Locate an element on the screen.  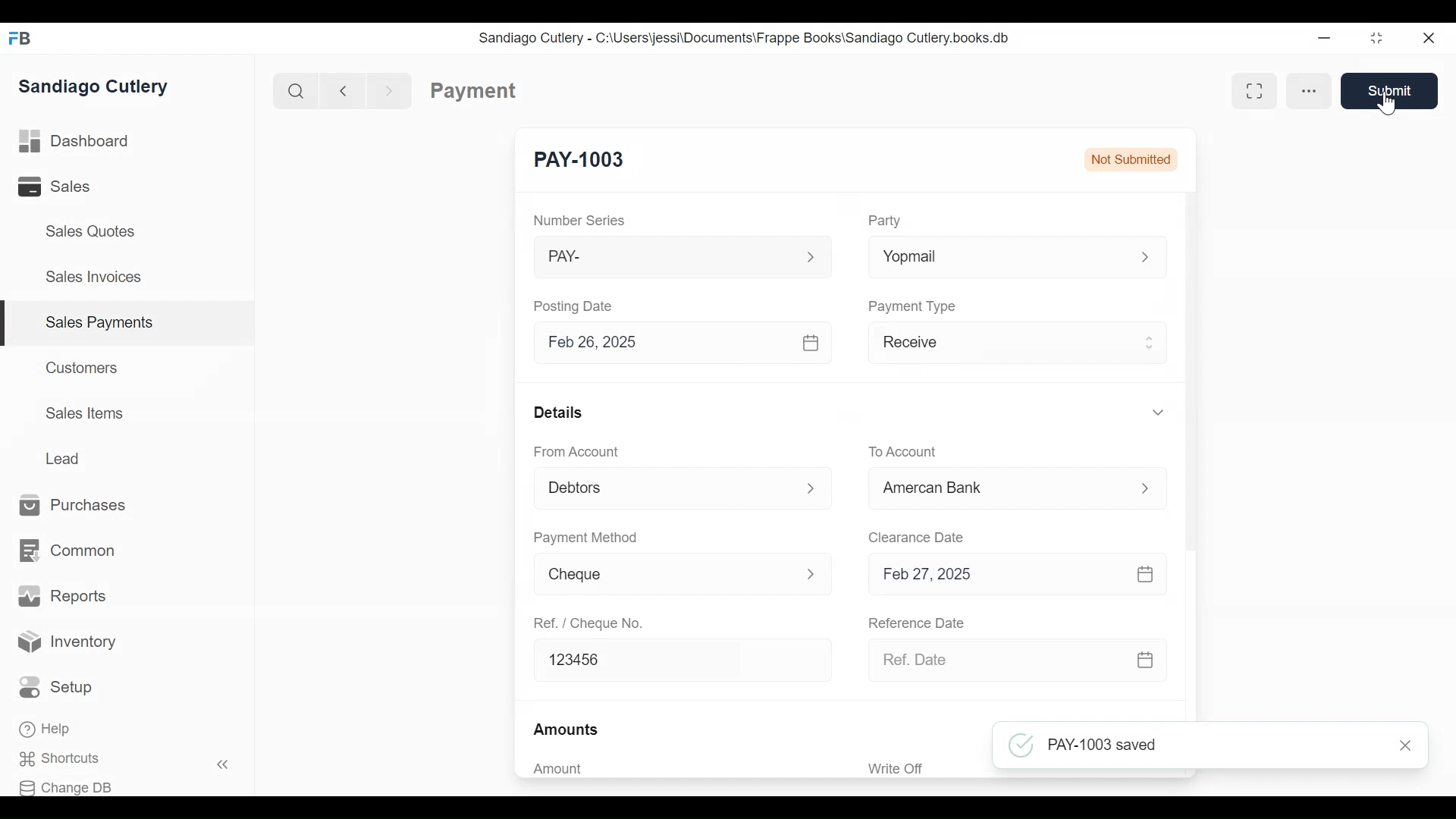
Expand is located at coordinates (1147, 256).